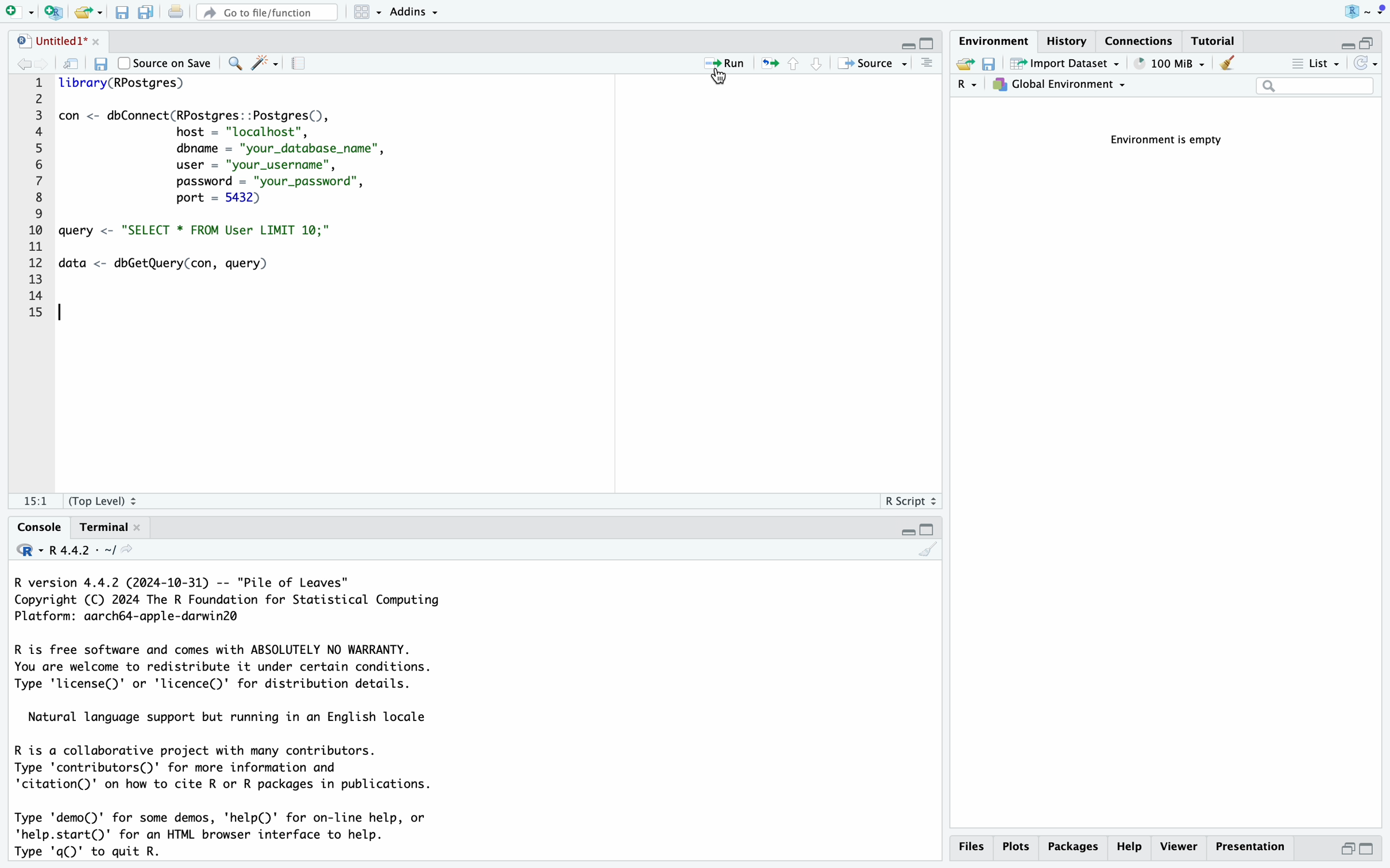 The image size is (1390, 868). Describe the element at coordinates (415, 11) in the screenshot. I see `addins` at that location.